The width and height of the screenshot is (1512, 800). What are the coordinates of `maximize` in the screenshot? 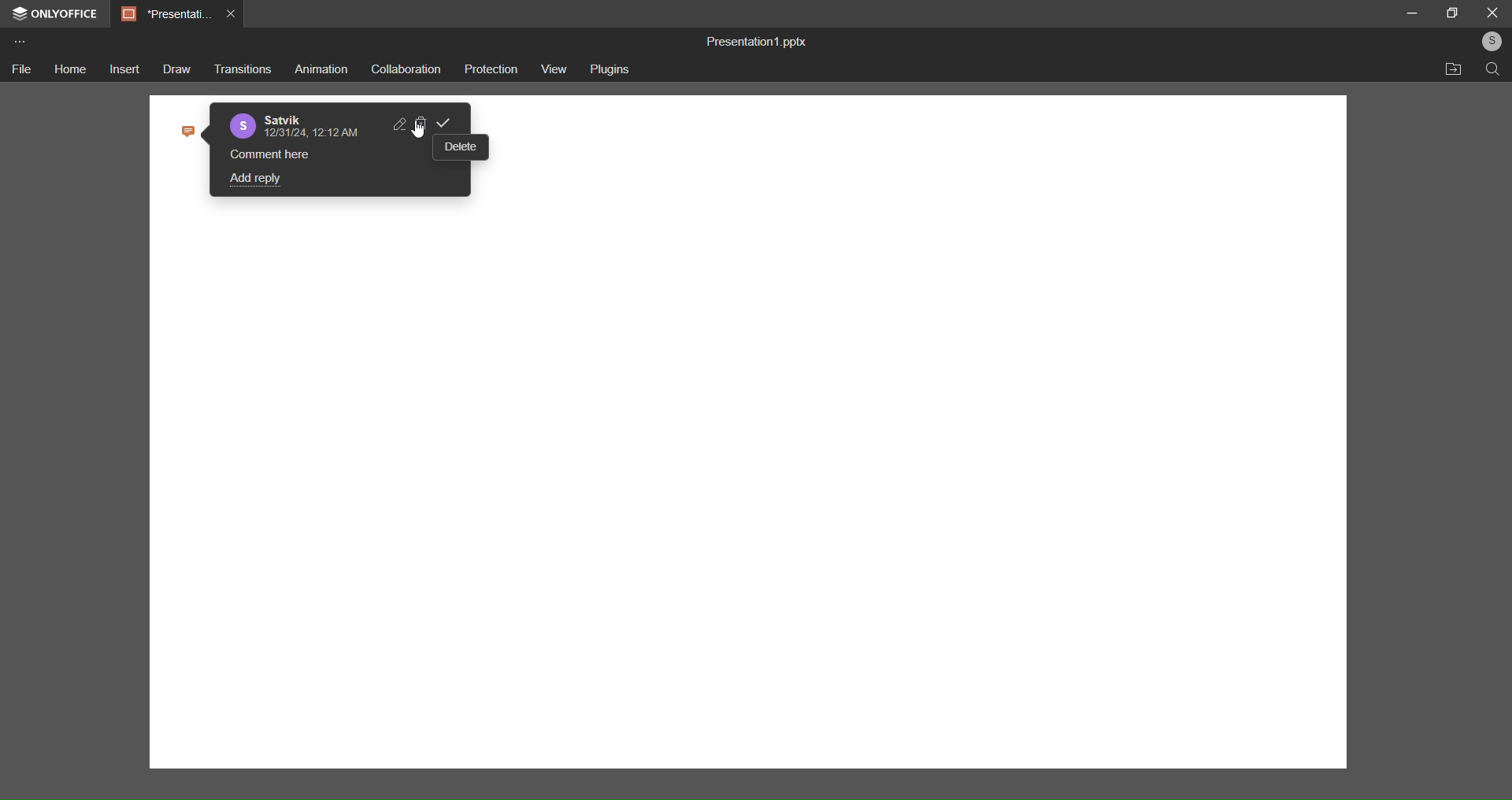 It's located at (1452, 13).